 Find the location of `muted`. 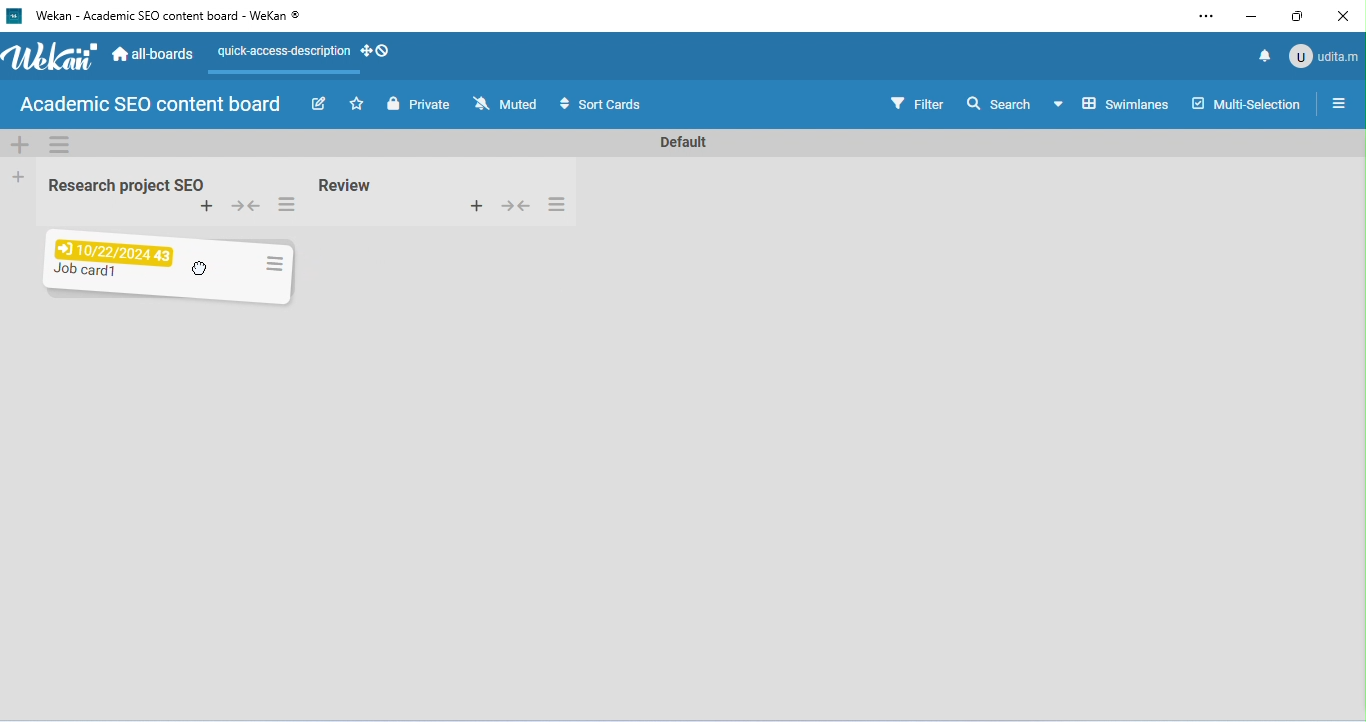

muted is located at coordinates (507, 104).